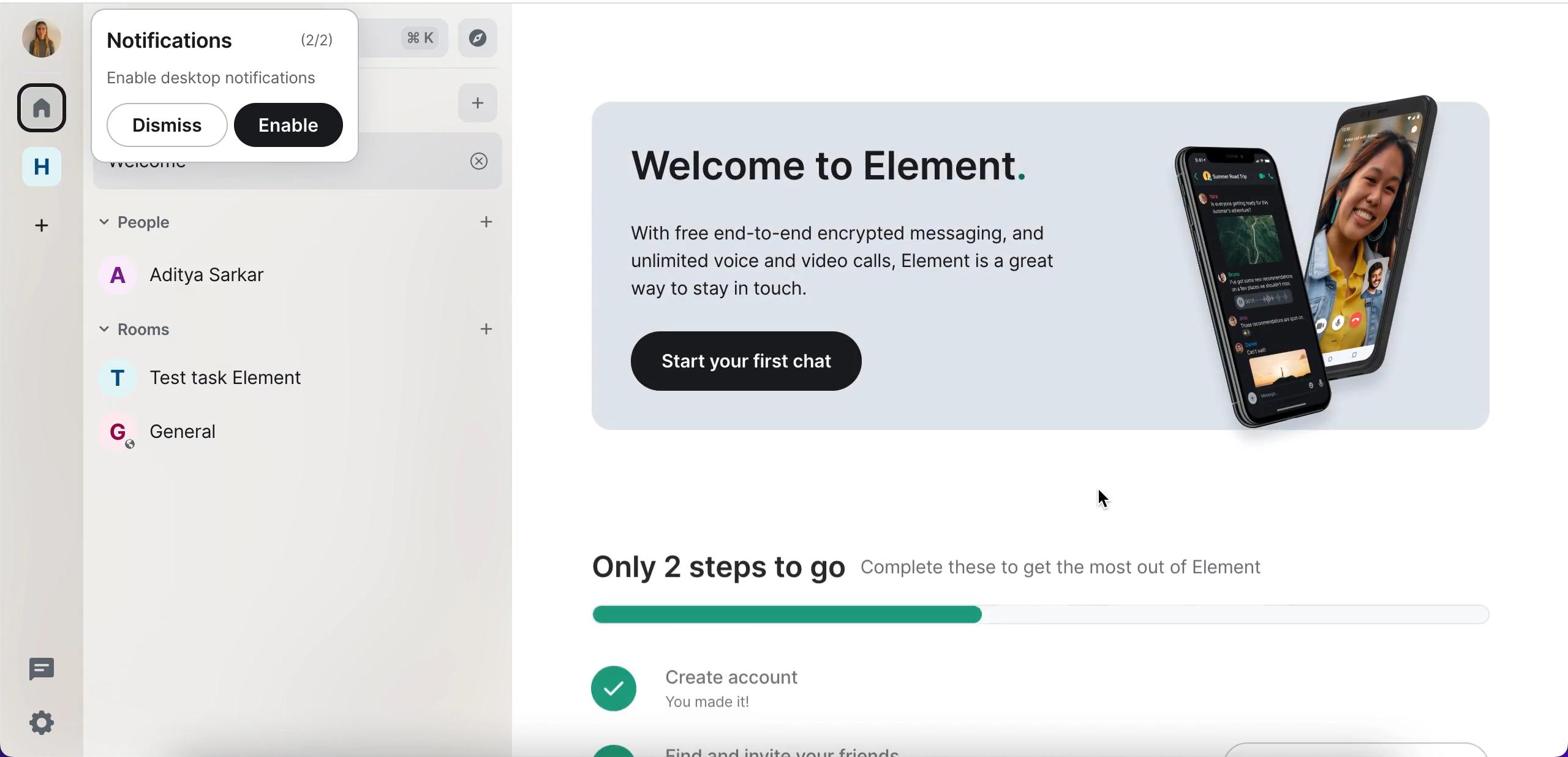  Describe the element at coordinates (294, 126) in the screenshot. I see `enable` at that location.